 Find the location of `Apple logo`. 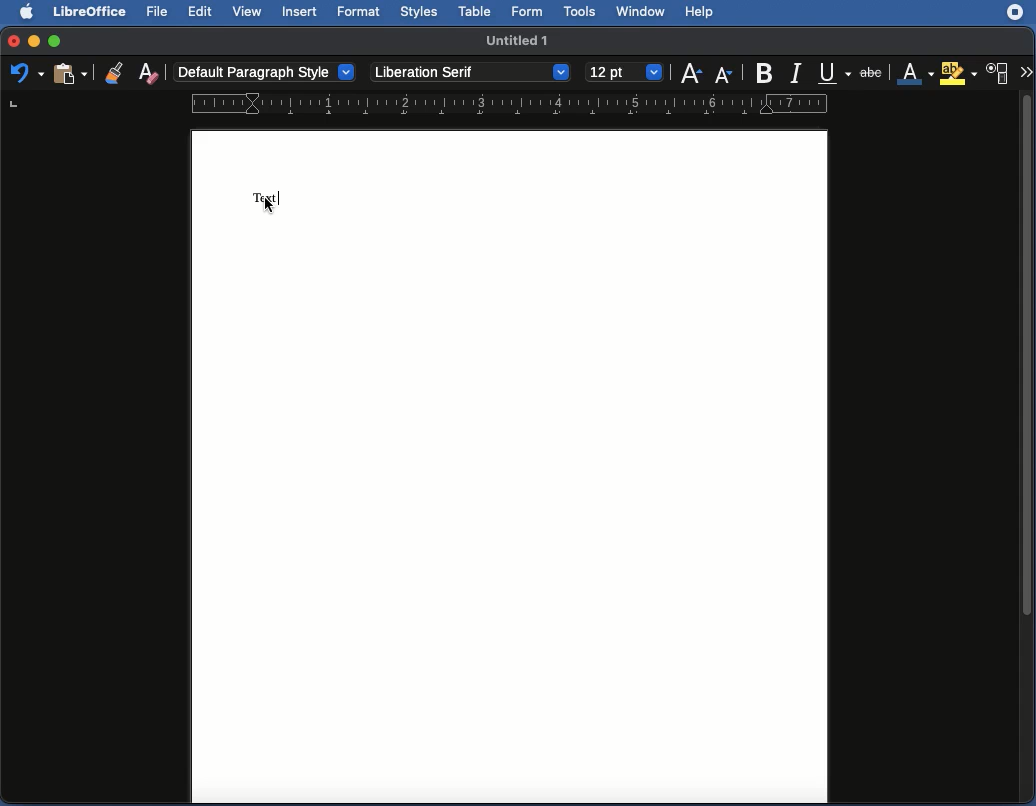

Apple logo is located at coordinates (32, 13).